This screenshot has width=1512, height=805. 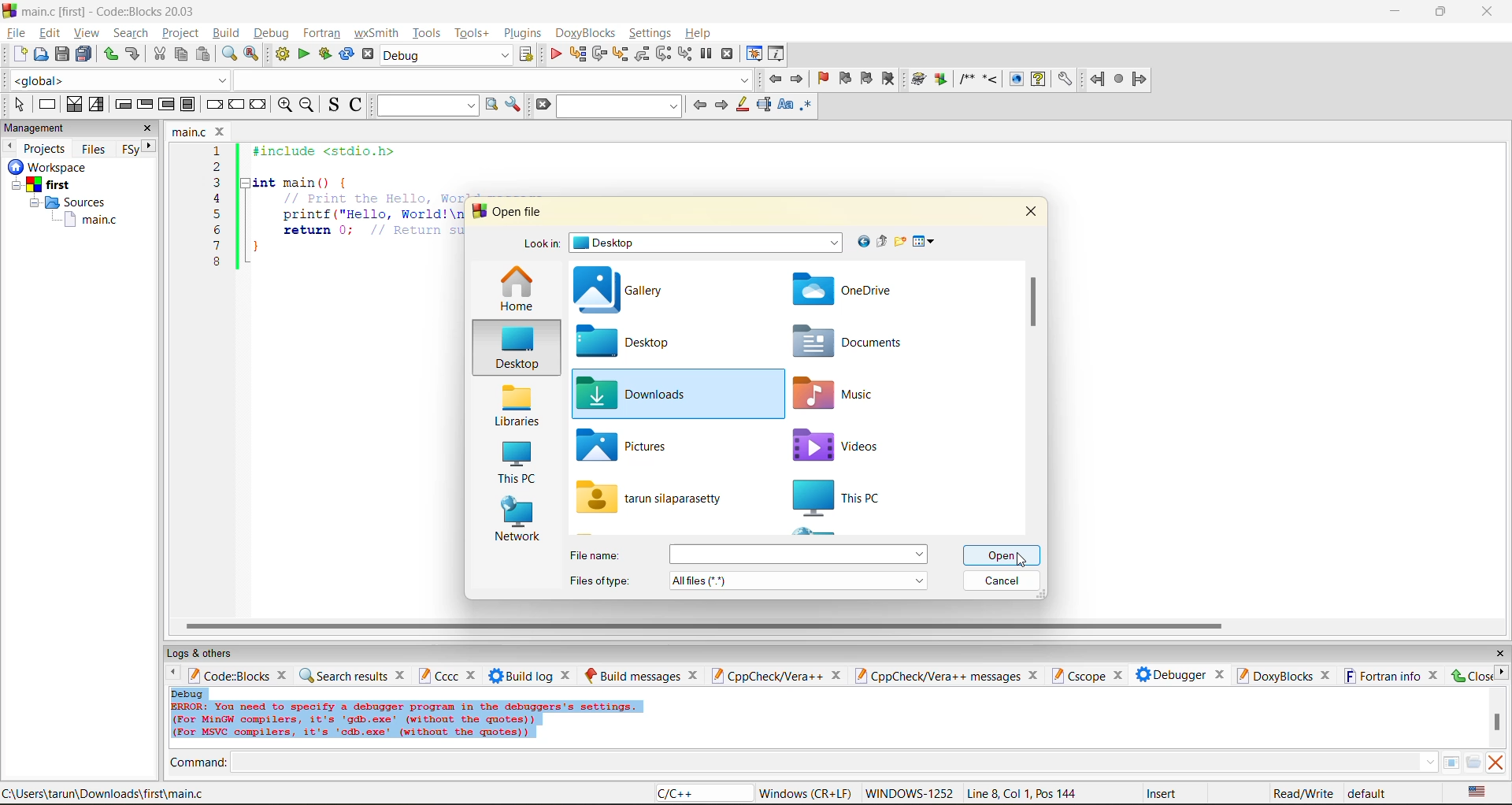 What do you see at coordinates (159, 54) in the screenshot?
I see `cut` at bounding box center [159, 54].